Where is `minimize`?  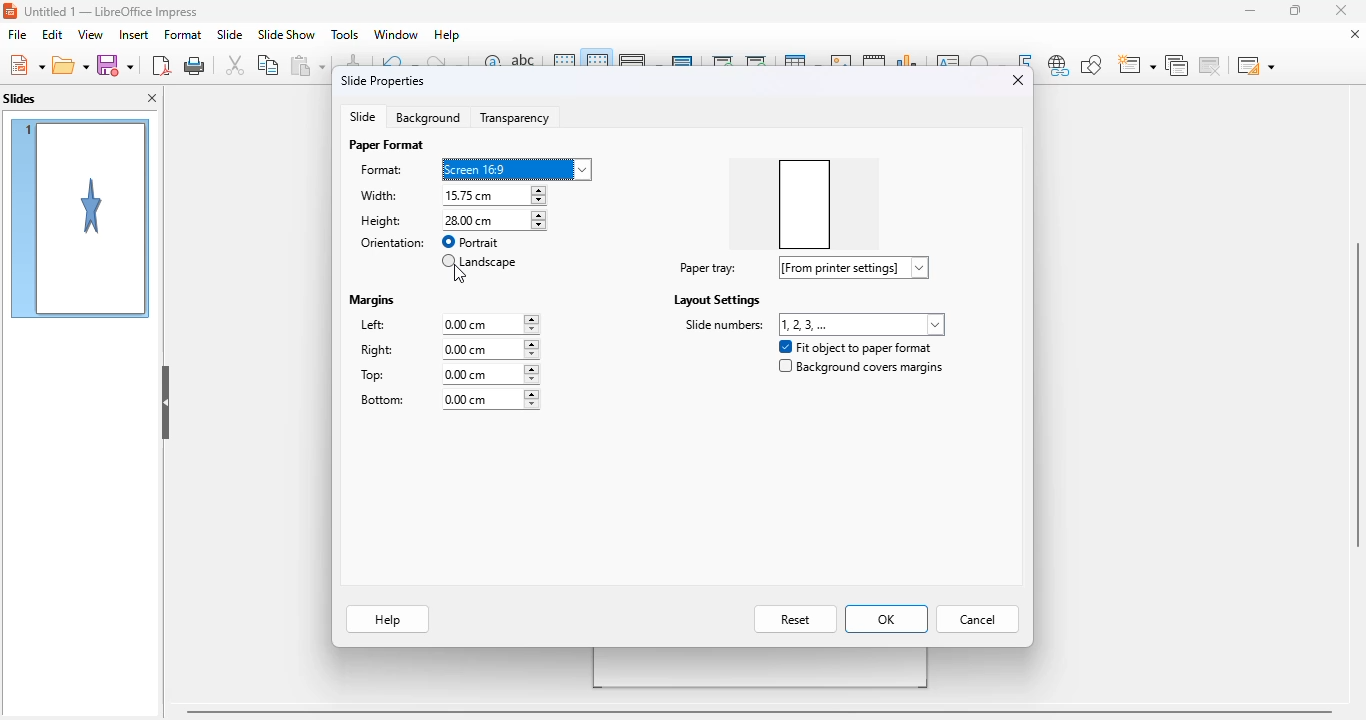 minimize is located at coordinates (1250, 11).